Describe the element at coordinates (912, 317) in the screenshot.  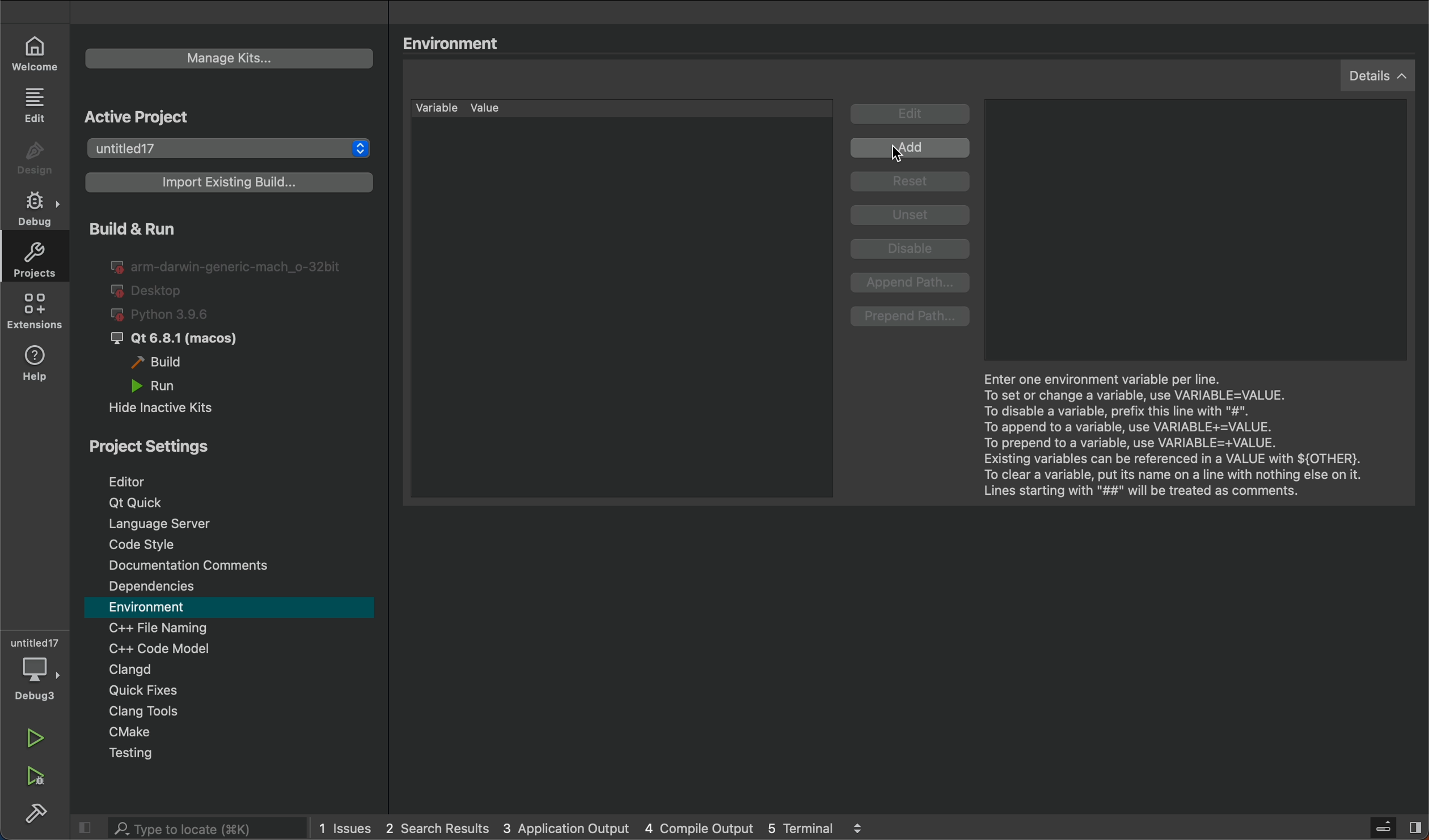
I see `prepend path` at that location.